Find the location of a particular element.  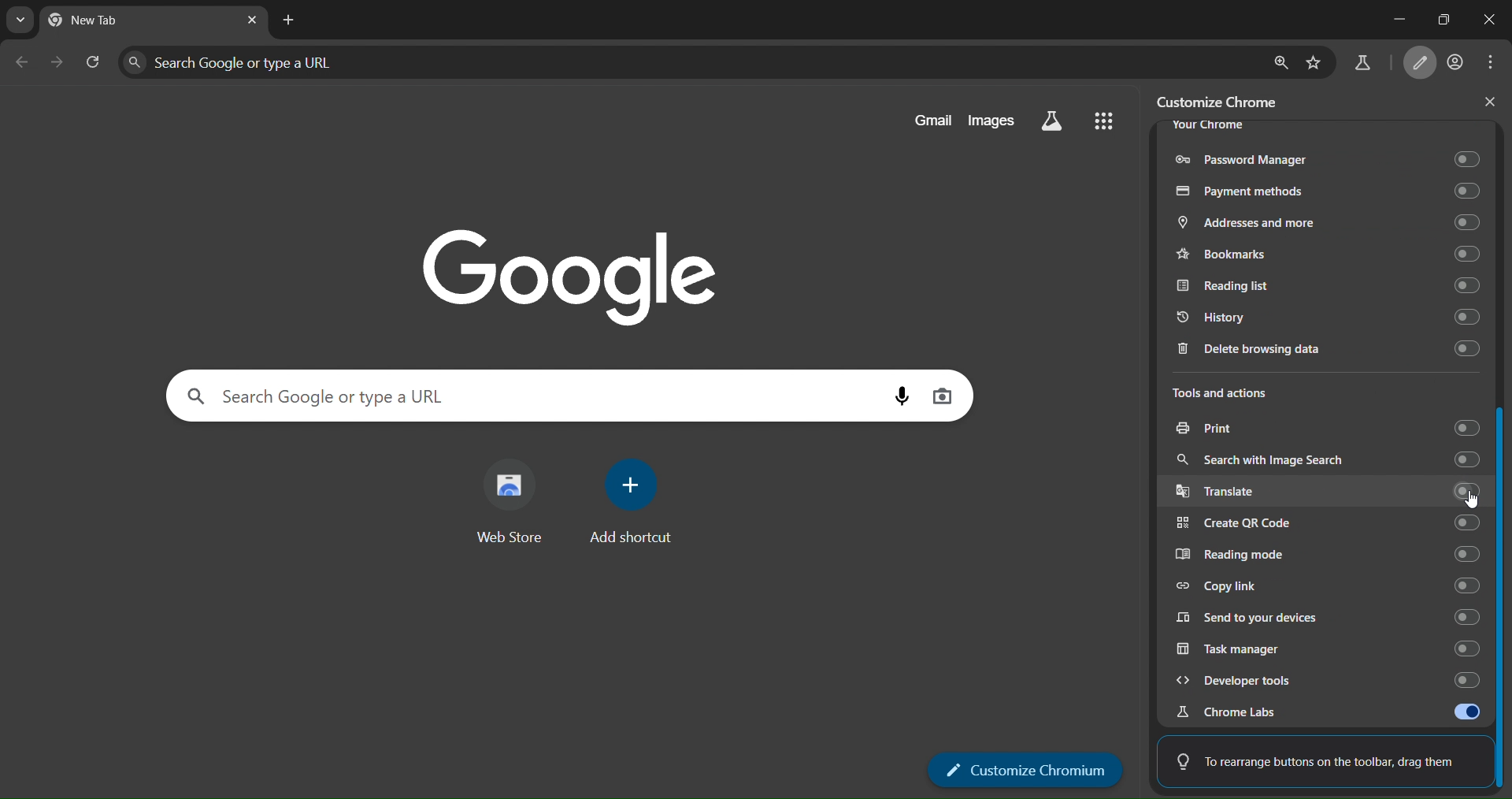

history is located at coordinates (1333, 317).